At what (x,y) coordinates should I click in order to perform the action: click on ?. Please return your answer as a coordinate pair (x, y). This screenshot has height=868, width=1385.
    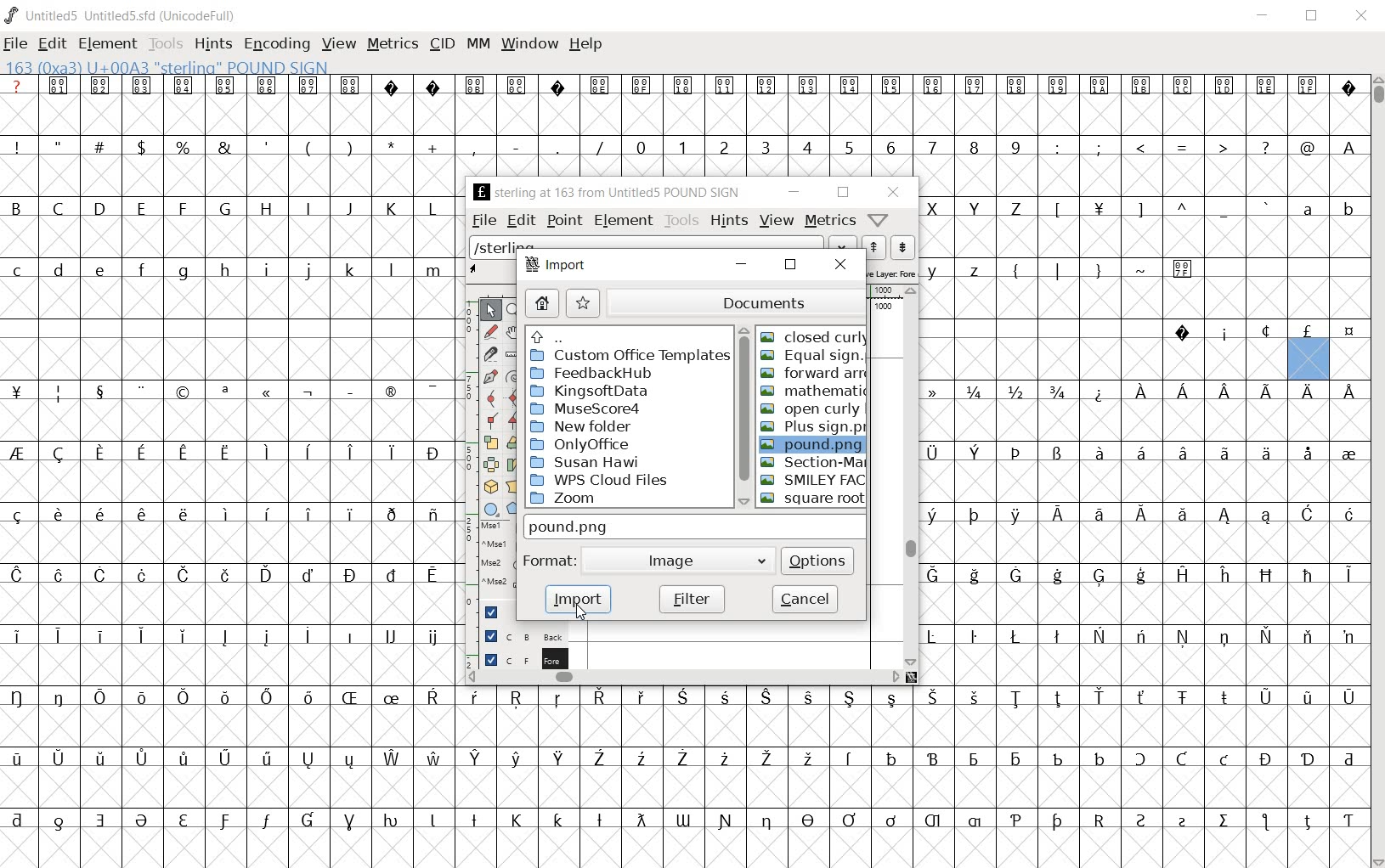
    Looking at the image, I should click on (18, 85).